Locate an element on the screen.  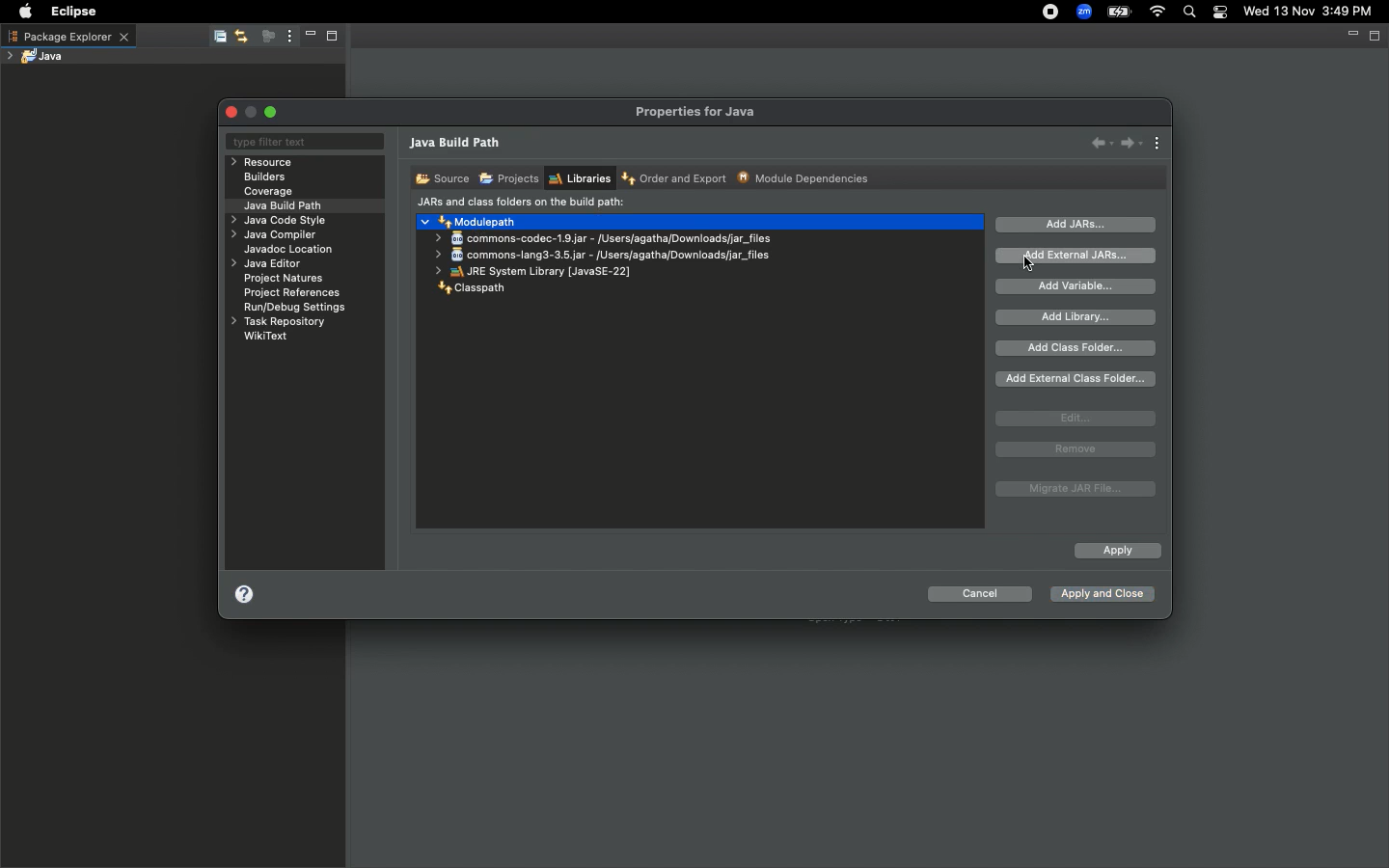
WikiText is located at coordinates (266, 336).